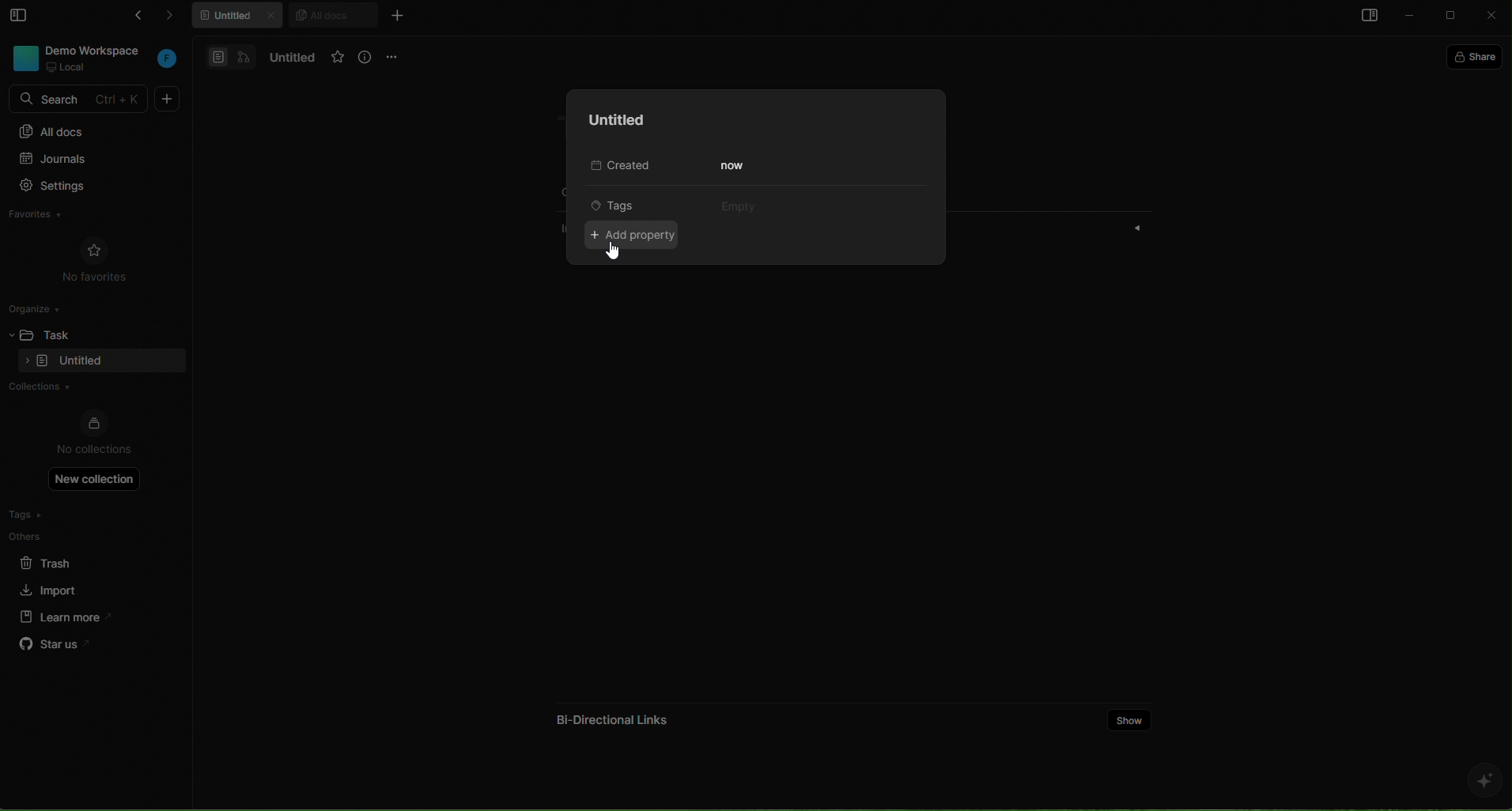 This screenshot has height=811, width=1512. Describe the element at coordinates (616, 251) in the screenshot. I see `cursor` at that location.